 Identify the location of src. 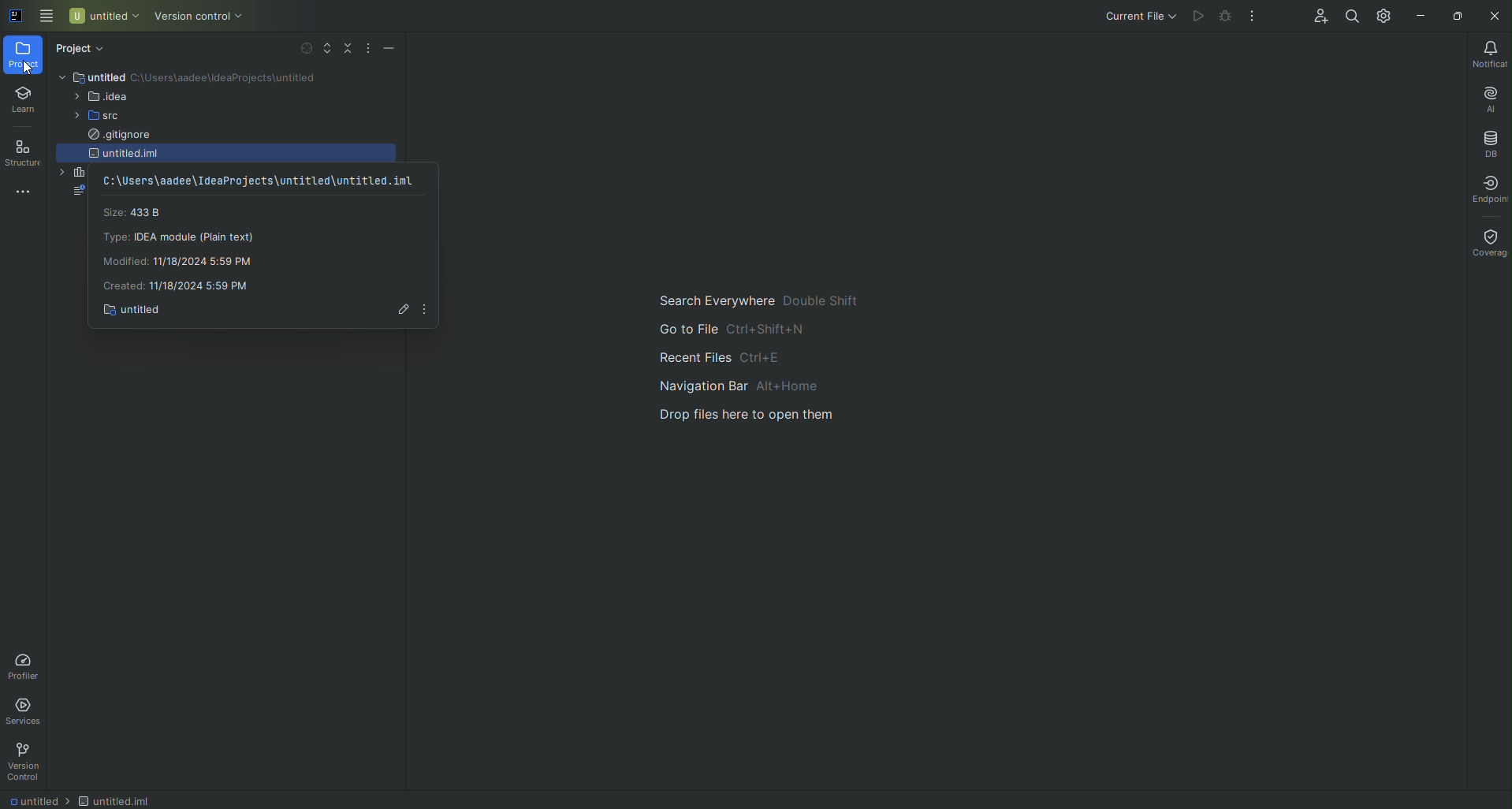
(93, 117).